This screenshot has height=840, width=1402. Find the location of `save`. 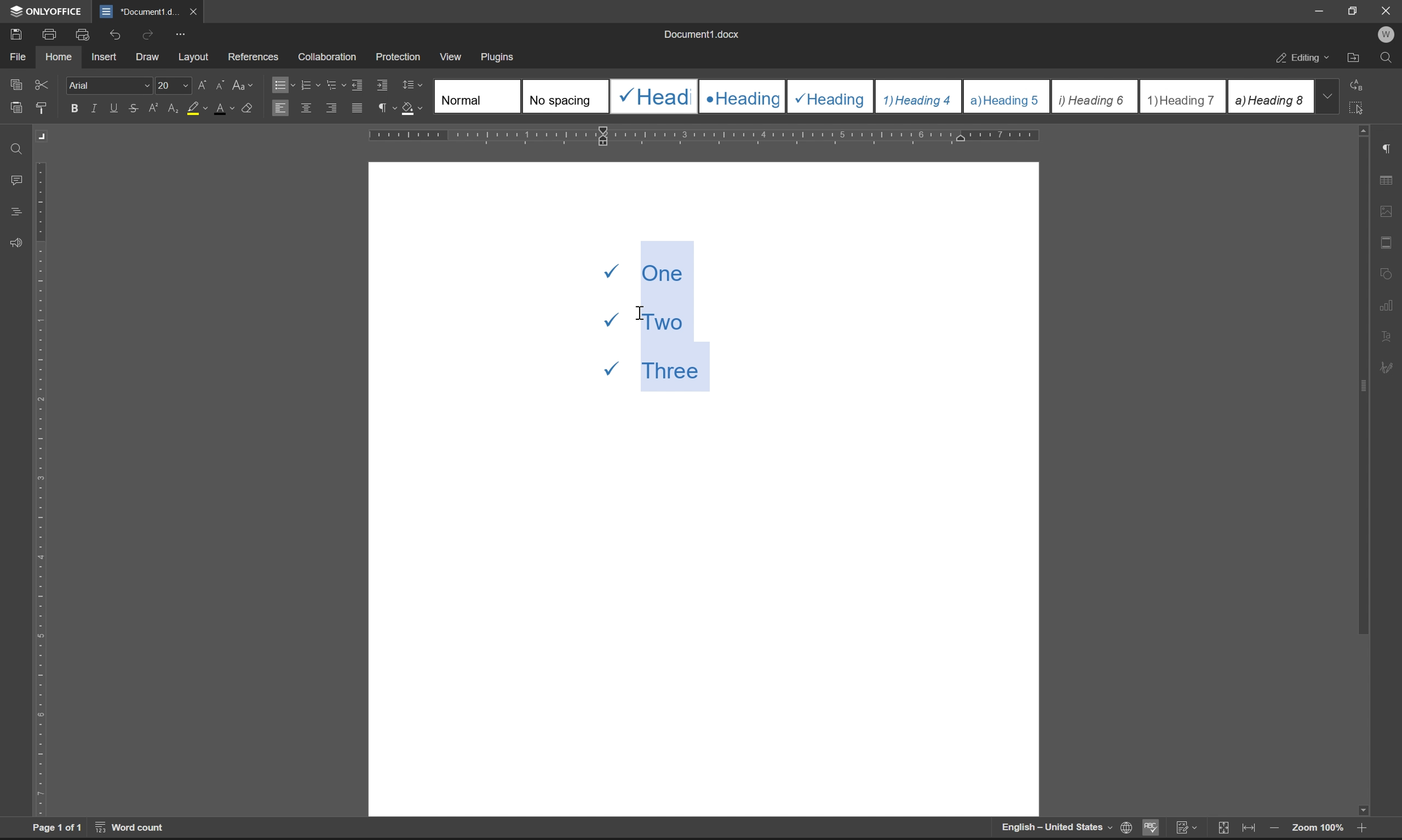

save is located at coordinates (12, 33).